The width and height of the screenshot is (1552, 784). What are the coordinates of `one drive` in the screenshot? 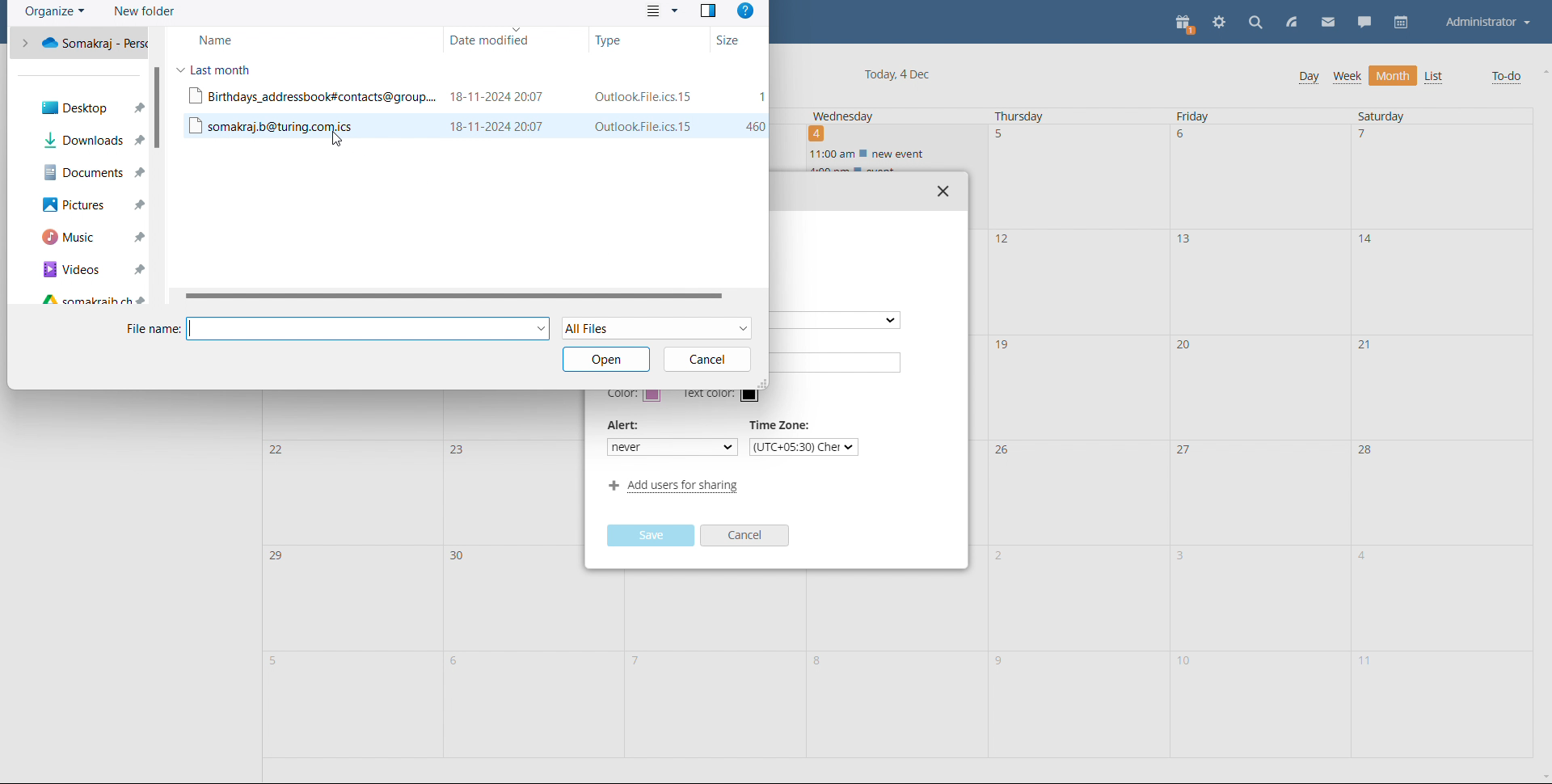 It's located at (84, 42).